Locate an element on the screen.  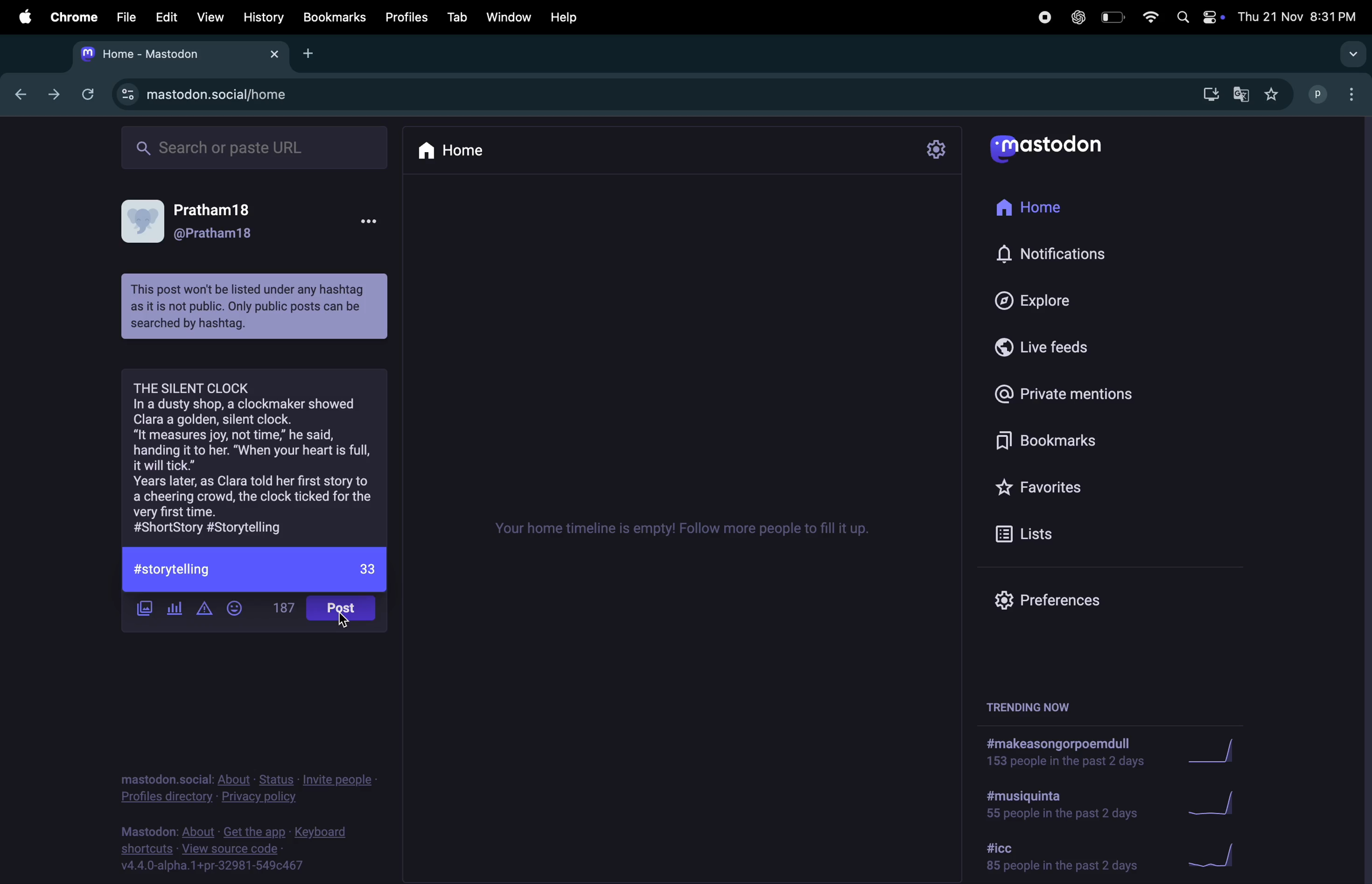
words is located at coordinates (282, 610).